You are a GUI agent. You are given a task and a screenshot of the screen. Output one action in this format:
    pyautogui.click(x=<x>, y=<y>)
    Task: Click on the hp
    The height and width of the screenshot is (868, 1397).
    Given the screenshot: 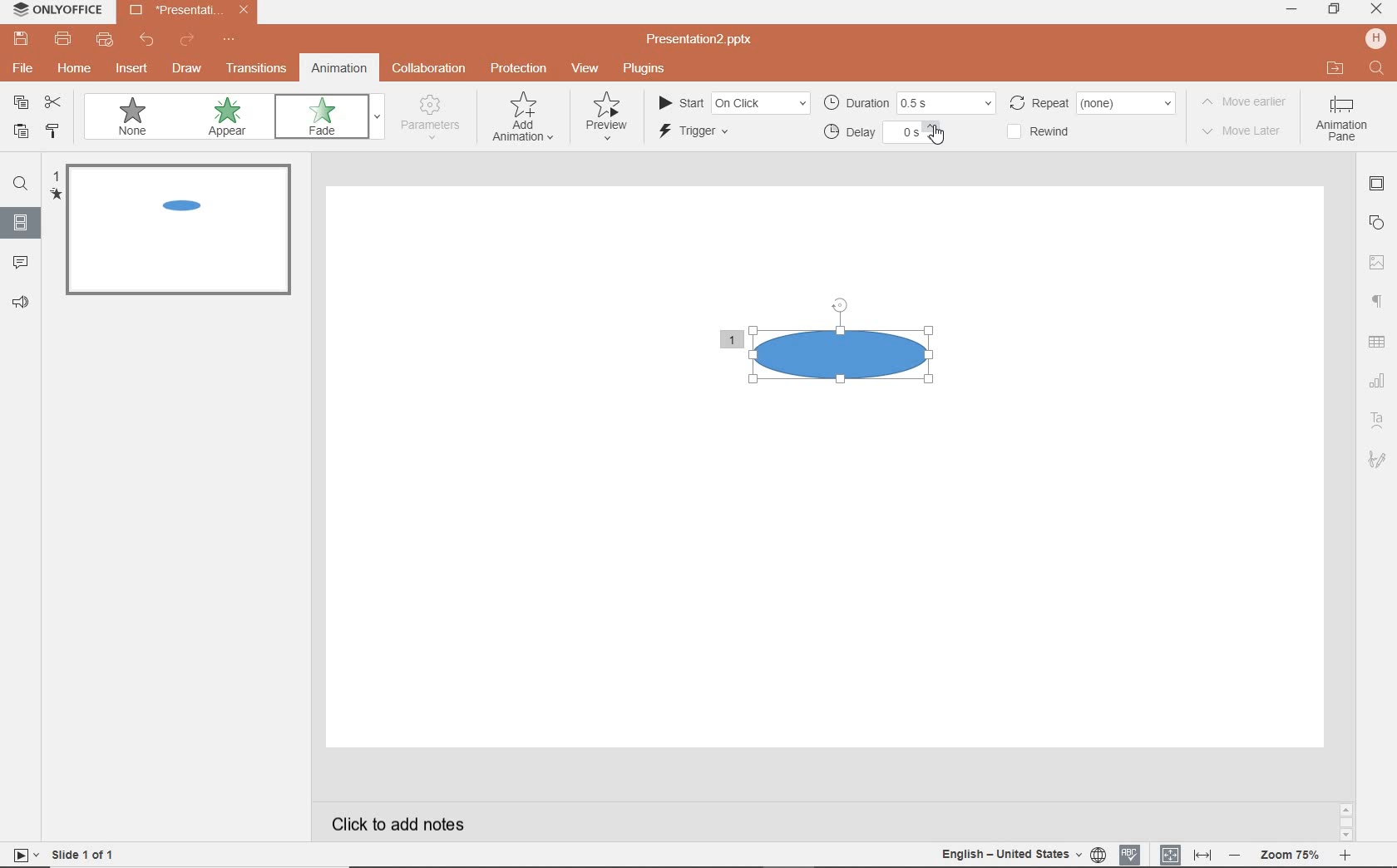 What is the action you would take?
    pyautogui.click(x=1375, y=37)
    